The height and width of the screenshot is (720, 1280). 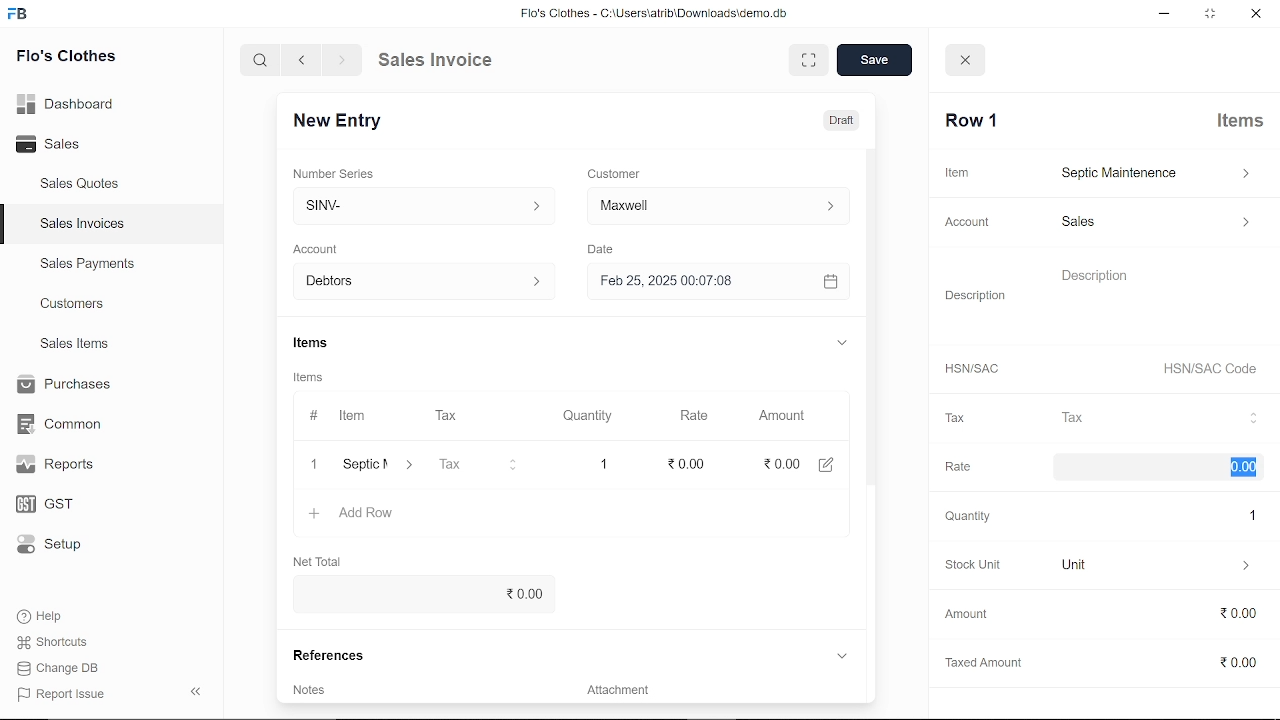 I want to click on frappe books logo, so click(x=20, y=17).